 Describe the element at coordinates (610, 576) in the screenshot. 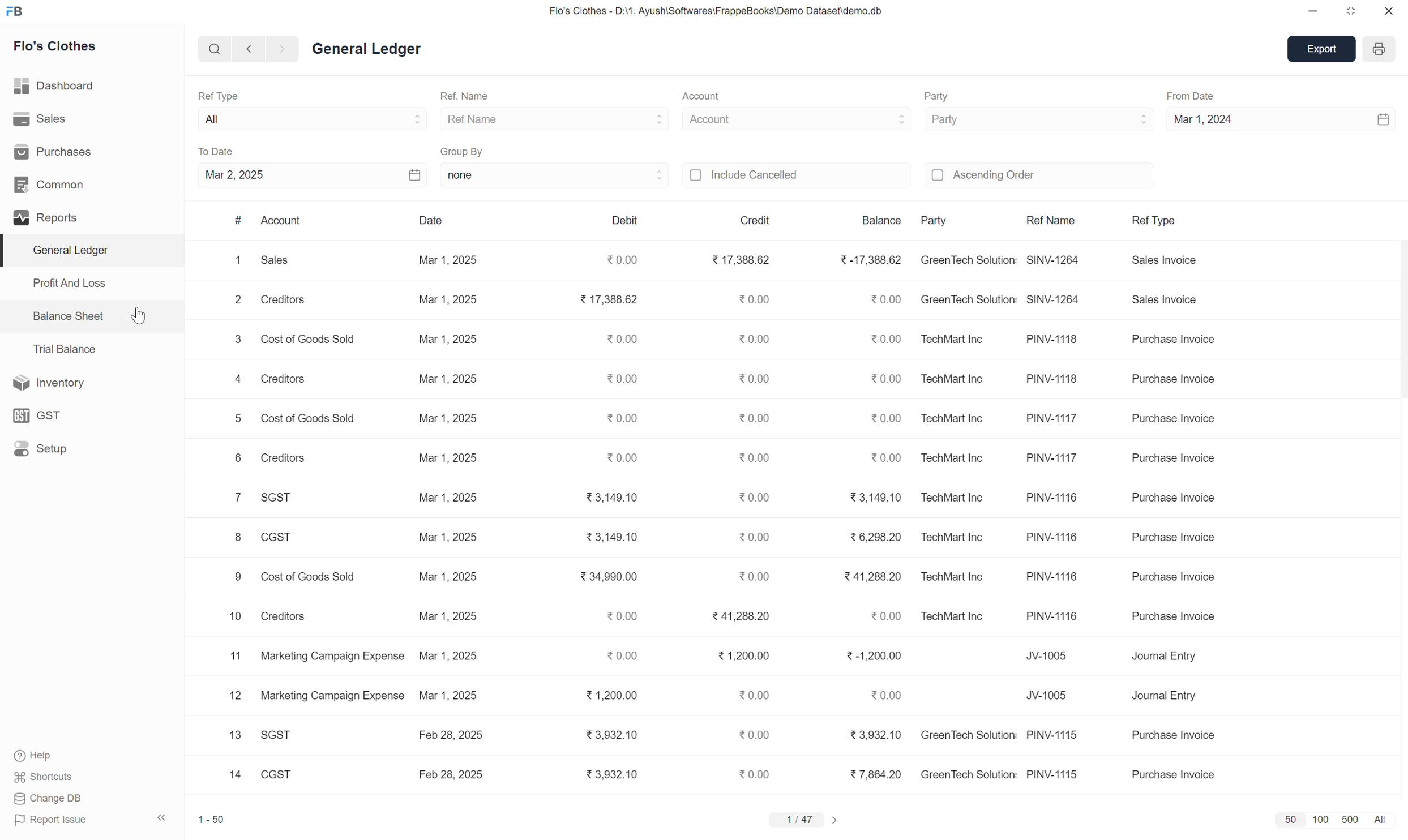

I see `¥34,990.00` at that location.